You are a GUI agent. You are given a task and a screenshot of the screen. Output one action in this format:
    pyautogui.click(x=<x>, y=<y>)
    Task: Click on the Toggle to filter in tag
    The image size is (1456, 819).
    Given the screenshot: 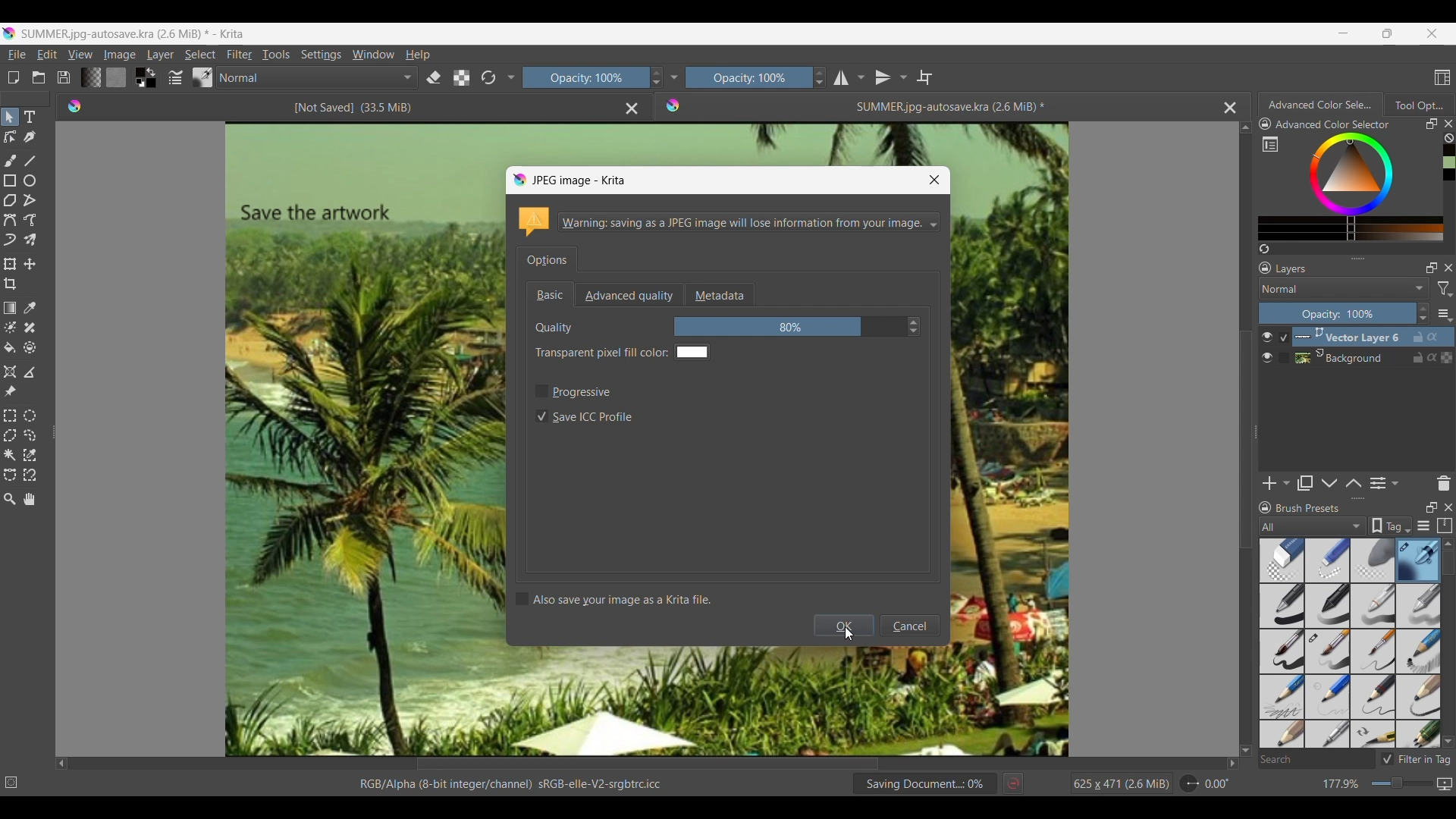 What is the action you would take?
    pyautogui.click(x=1416, y=759)
    